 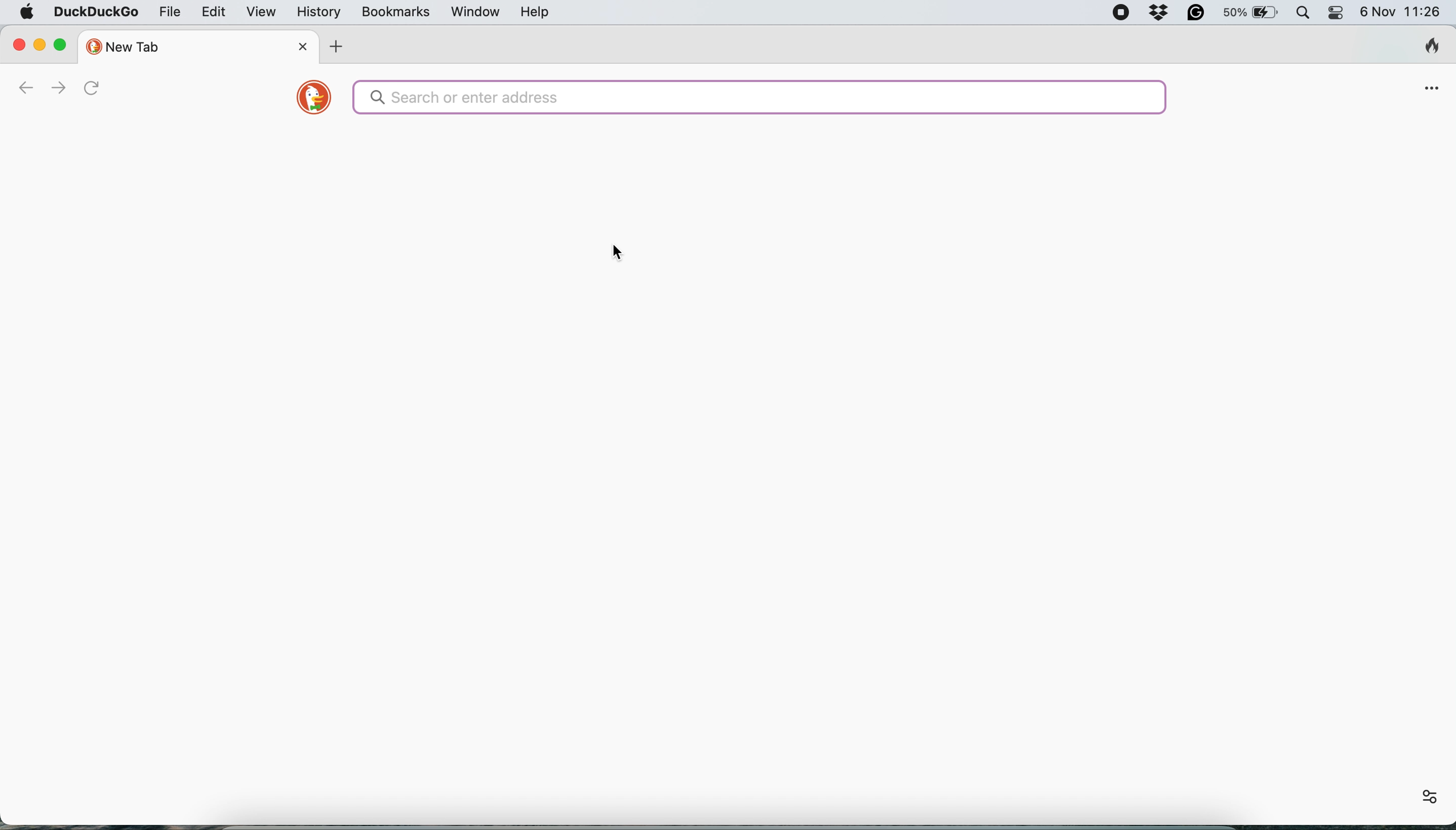 What do you see at coordinates (535, 12) in the screenshot?
I see `help` at bounding box center [535, 12].